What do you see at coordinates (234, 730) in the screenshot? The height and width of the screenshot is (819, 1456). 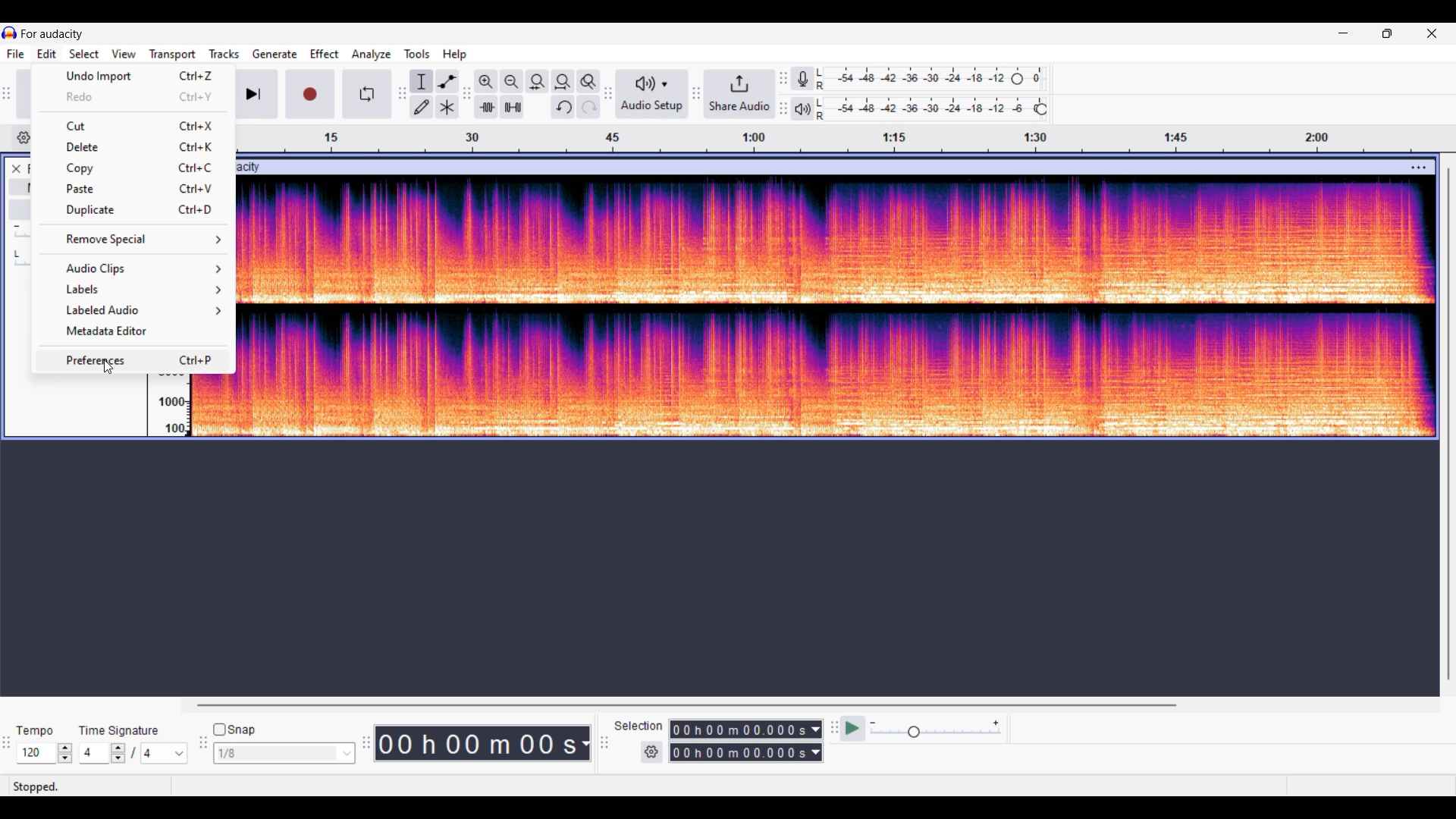 I see `Snap toggle` at bounding box center [234, 730].